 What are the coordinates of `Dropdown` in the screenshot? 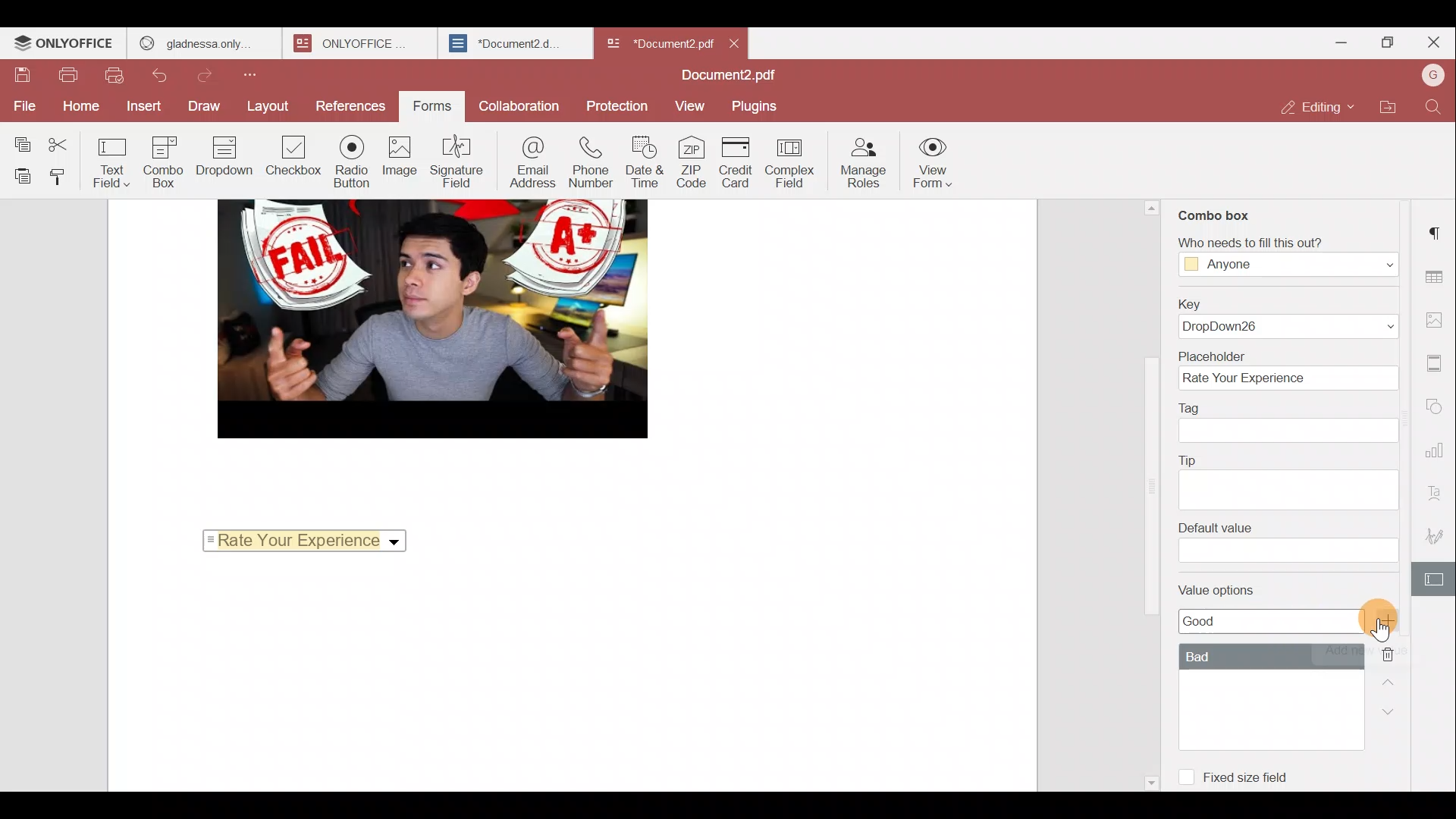 It's located at (227, 156).